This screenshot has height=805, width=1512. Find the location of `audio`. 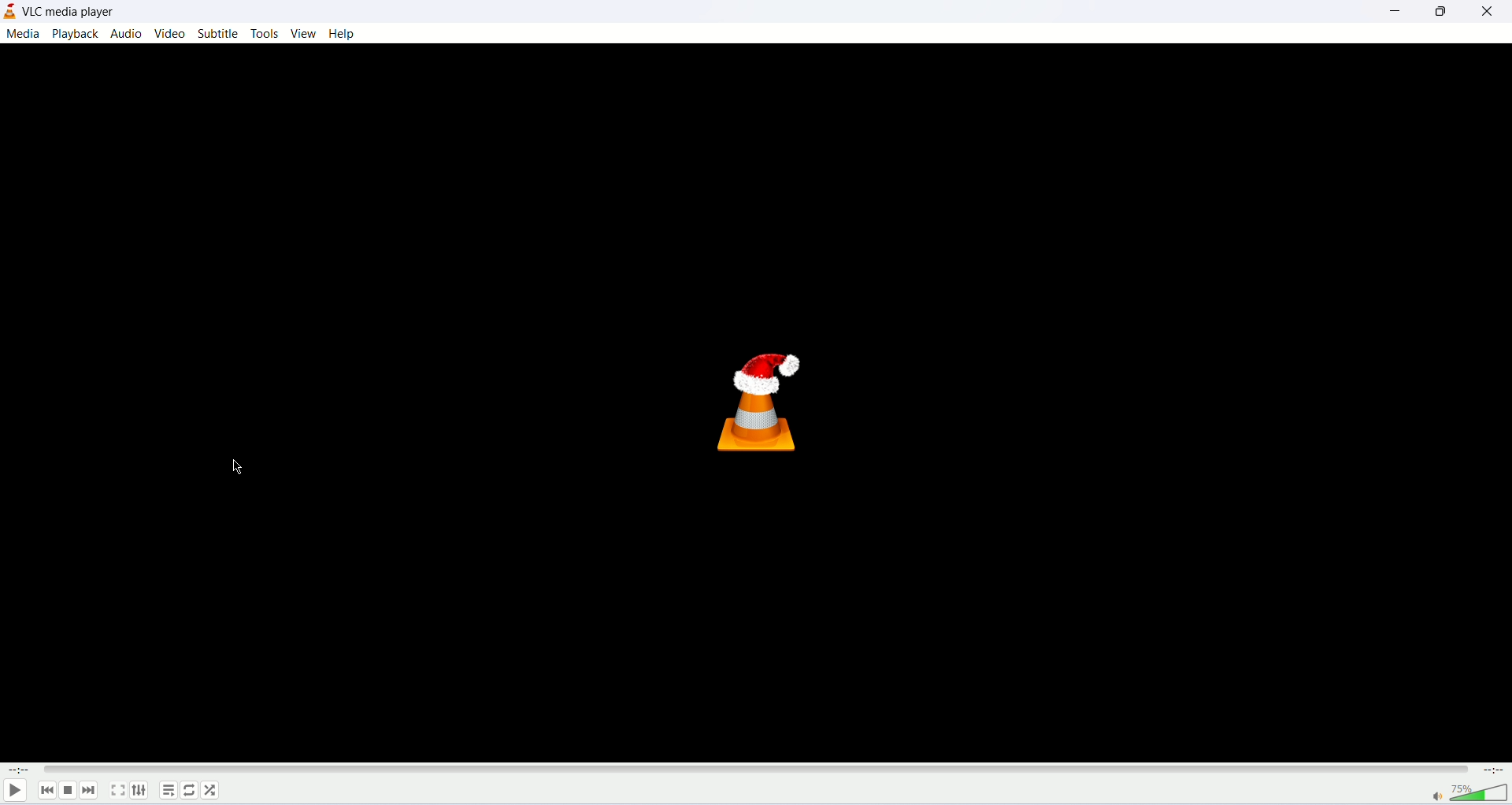

audio is located at coordinates (125, 33).